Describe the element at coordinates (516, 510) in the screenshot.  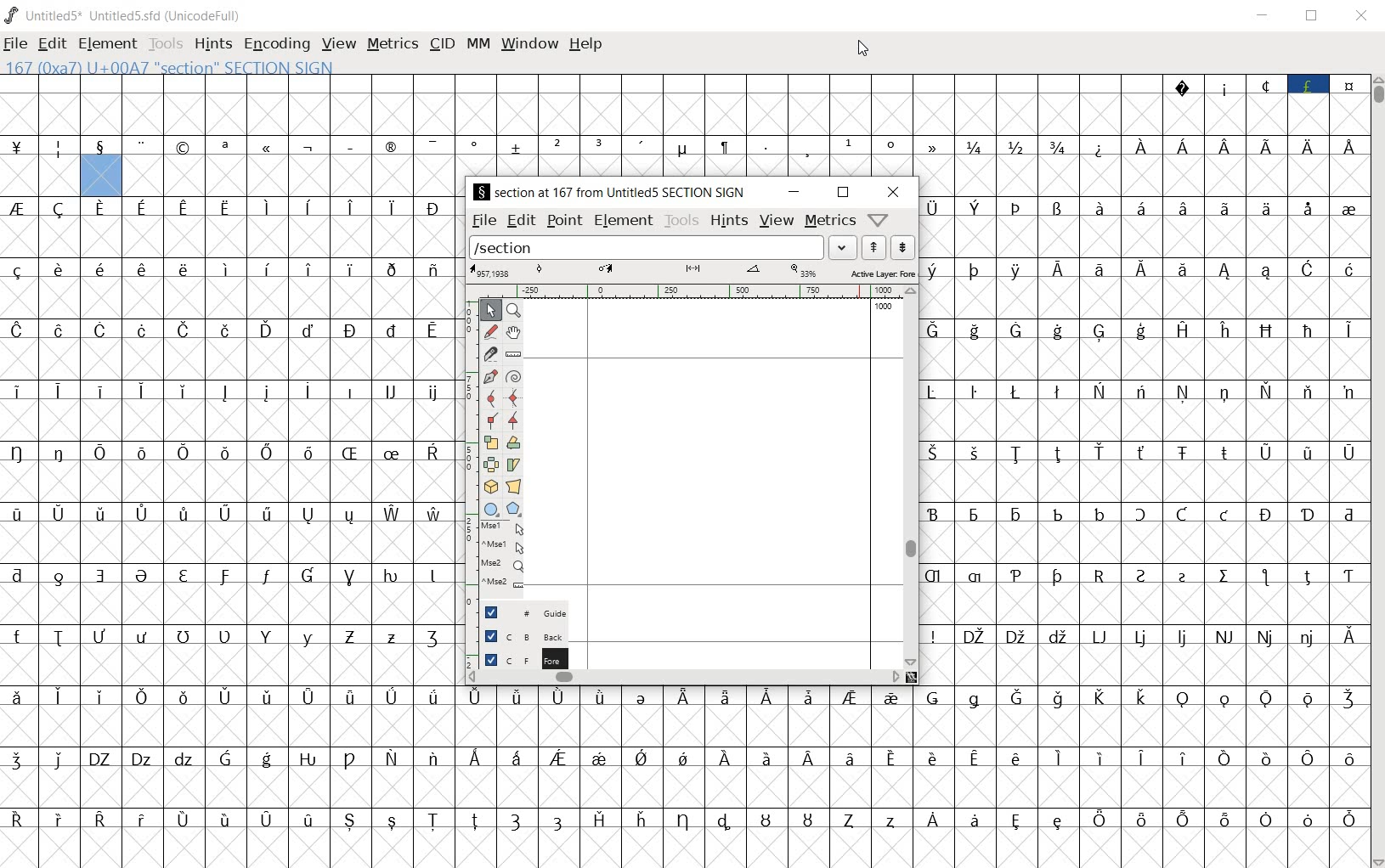
I see `polygon or star` at that location.